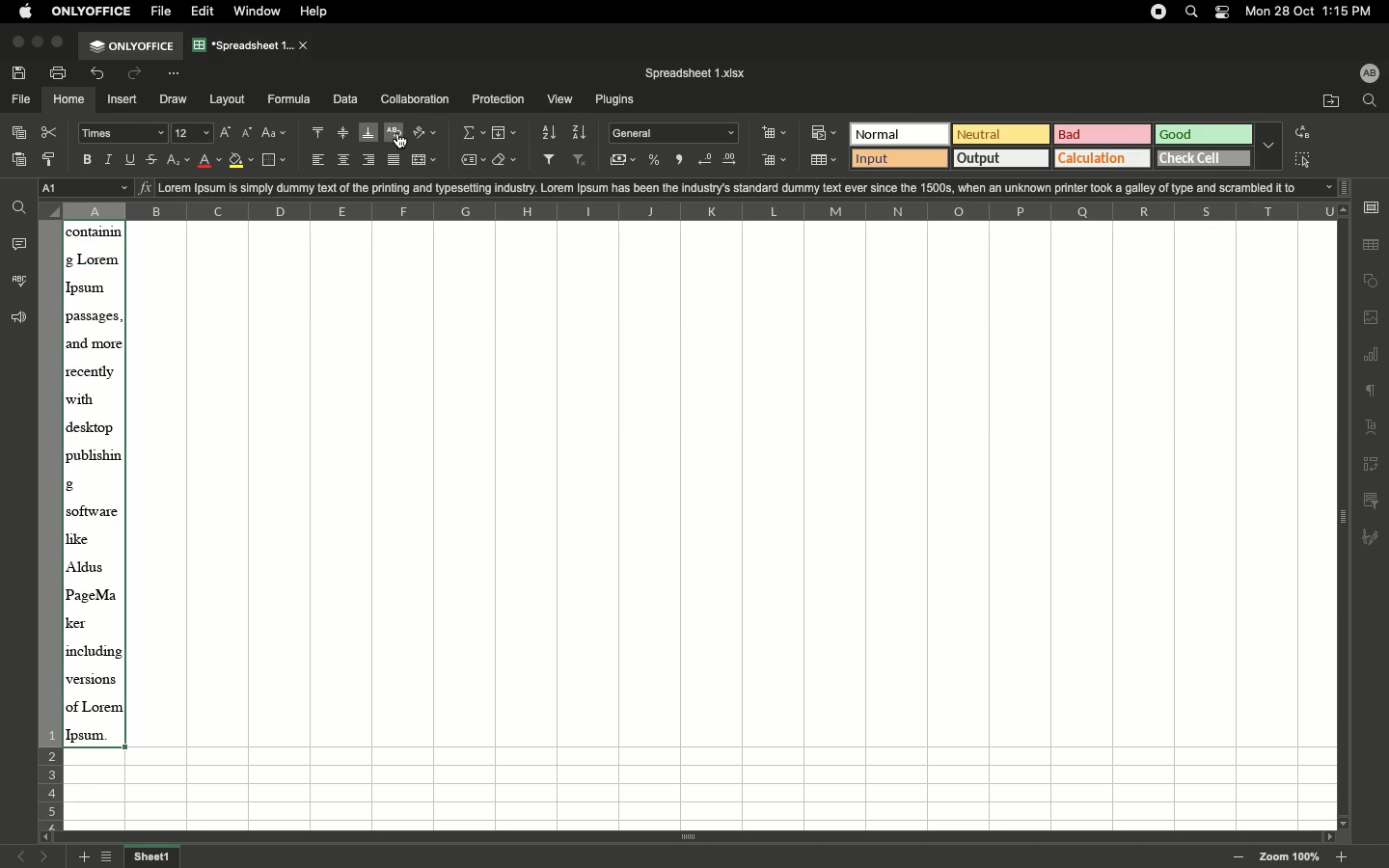 The height and width of the screenshot is (868, 1389). I want to click on Sort ascending, so click(550, 132).